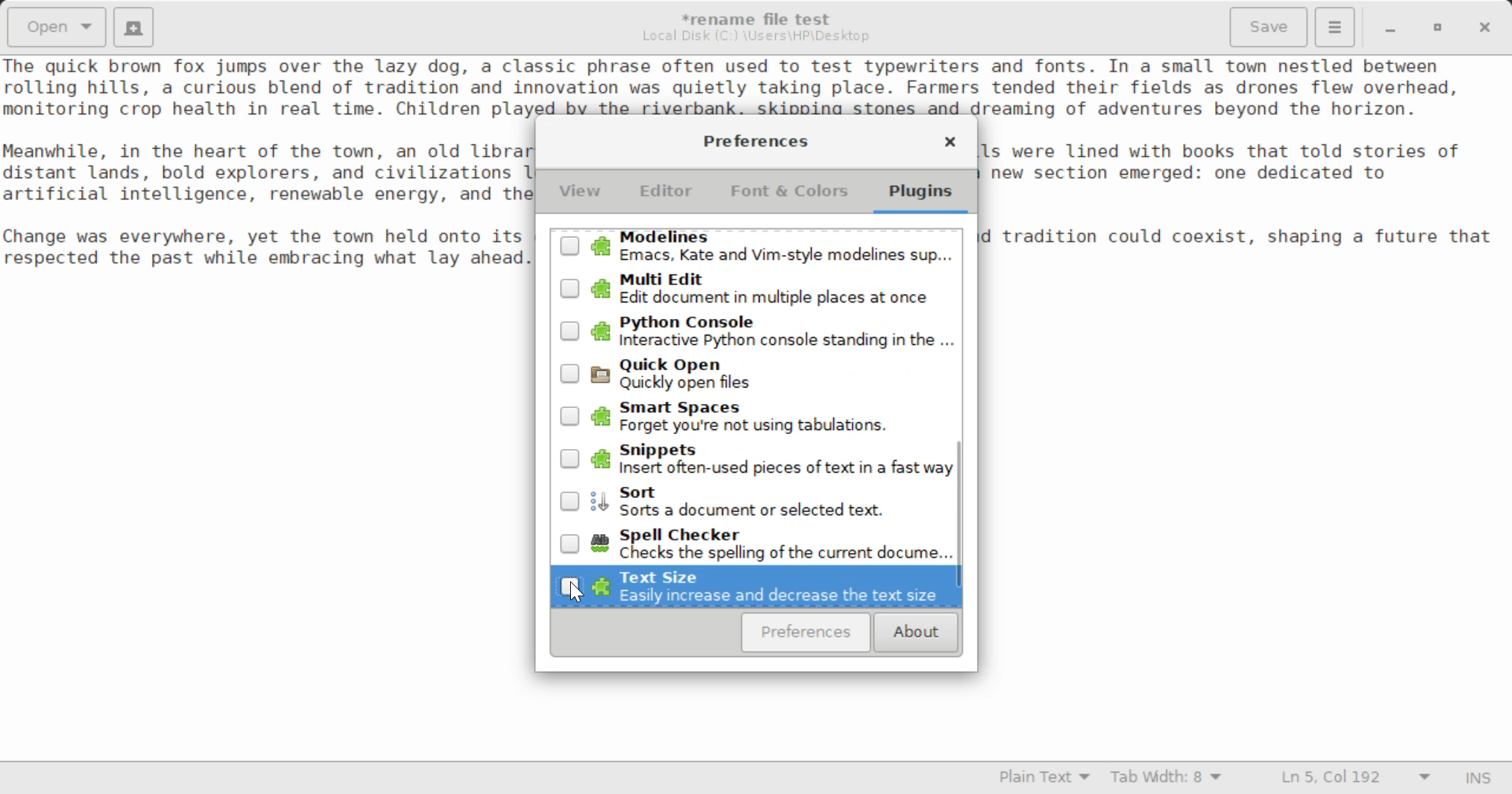 Image resolution: width=1512 pixels, height=794 pixels. Describe the element at coordinates (1270, 28) in the screenshot. I see `Save` at that location.